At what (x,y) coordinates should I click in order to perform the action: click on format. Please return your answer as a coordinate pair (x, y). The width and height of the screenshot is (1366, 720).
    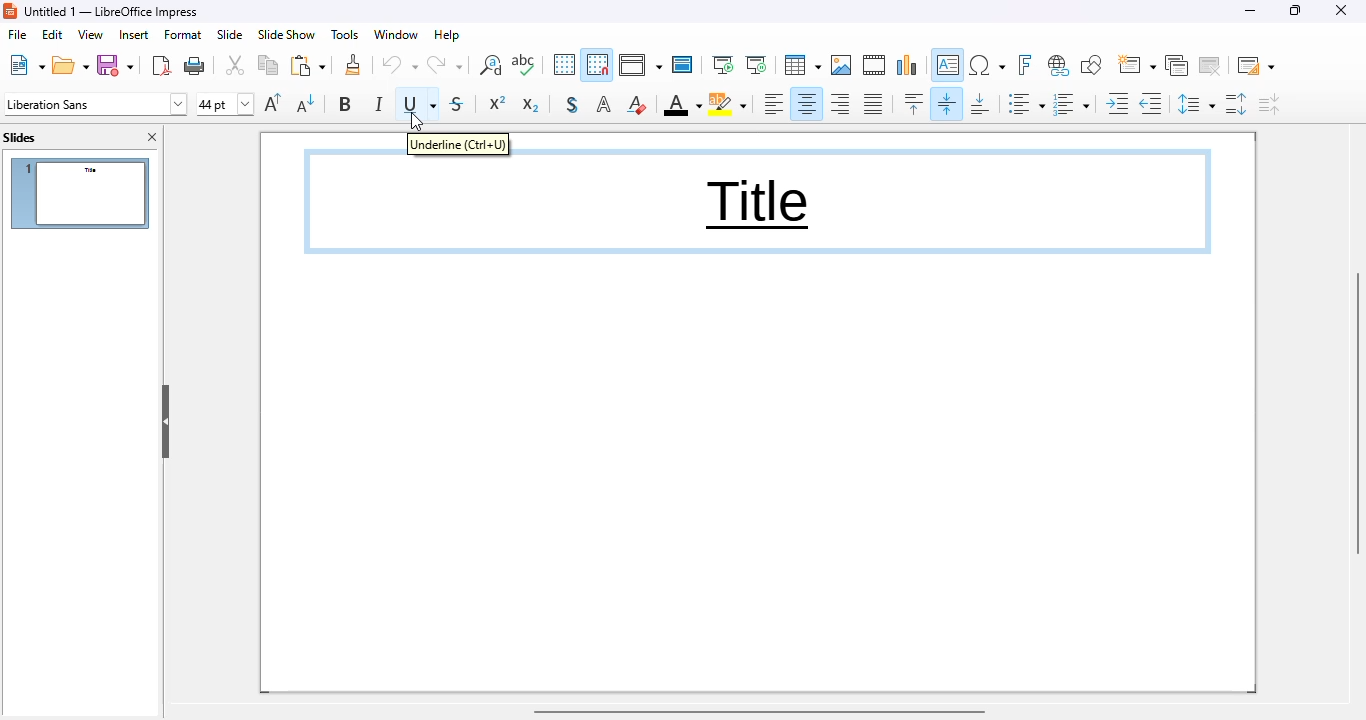
    Looking at the image, I should click on (184, 35).